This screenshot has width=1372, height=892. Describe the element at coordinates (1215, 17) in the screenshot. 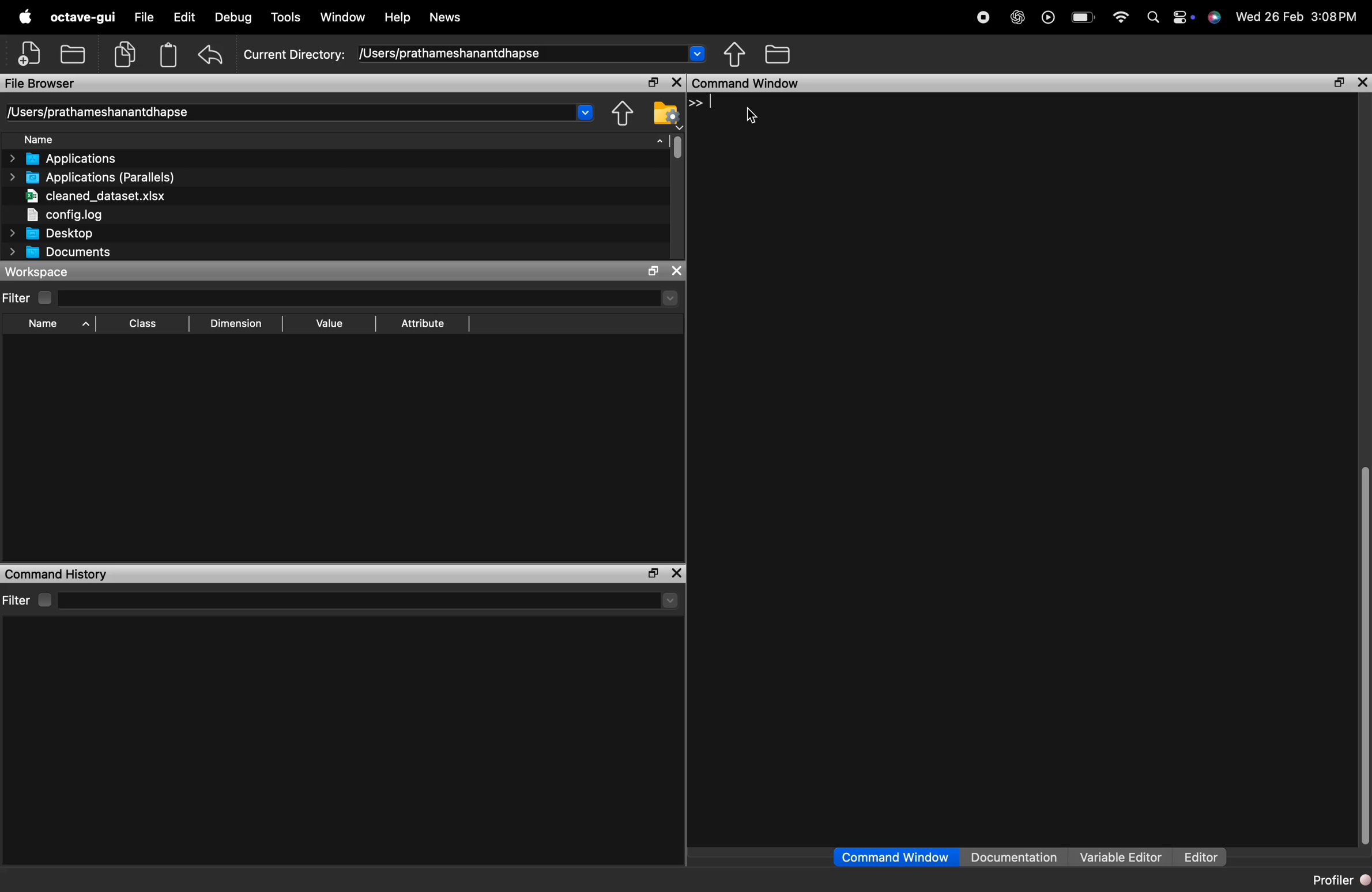

I see `Siri` at that location.